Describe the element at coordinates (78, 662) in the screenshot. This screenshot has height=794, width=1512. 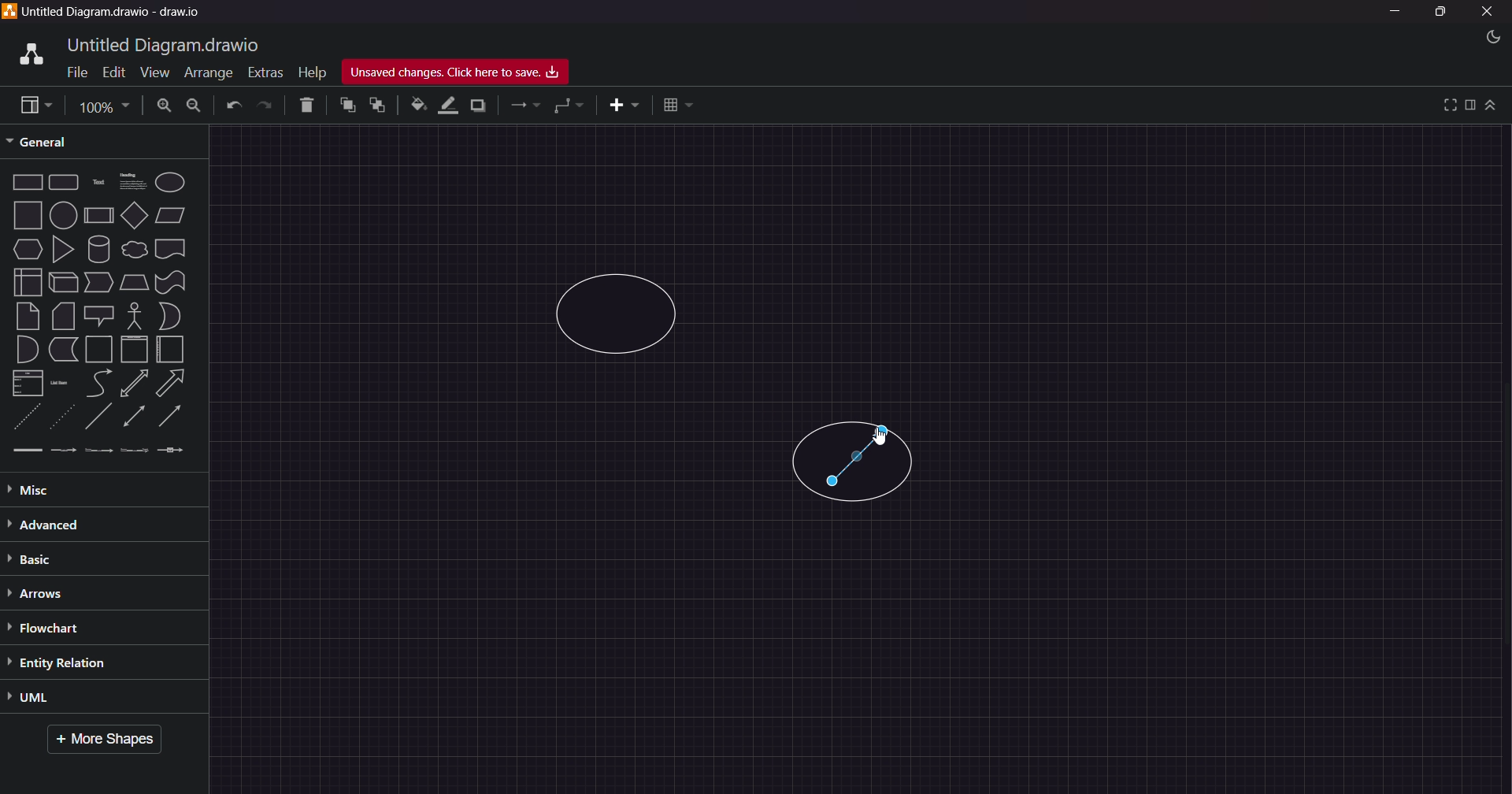
I see `Entity Relation` at that location.